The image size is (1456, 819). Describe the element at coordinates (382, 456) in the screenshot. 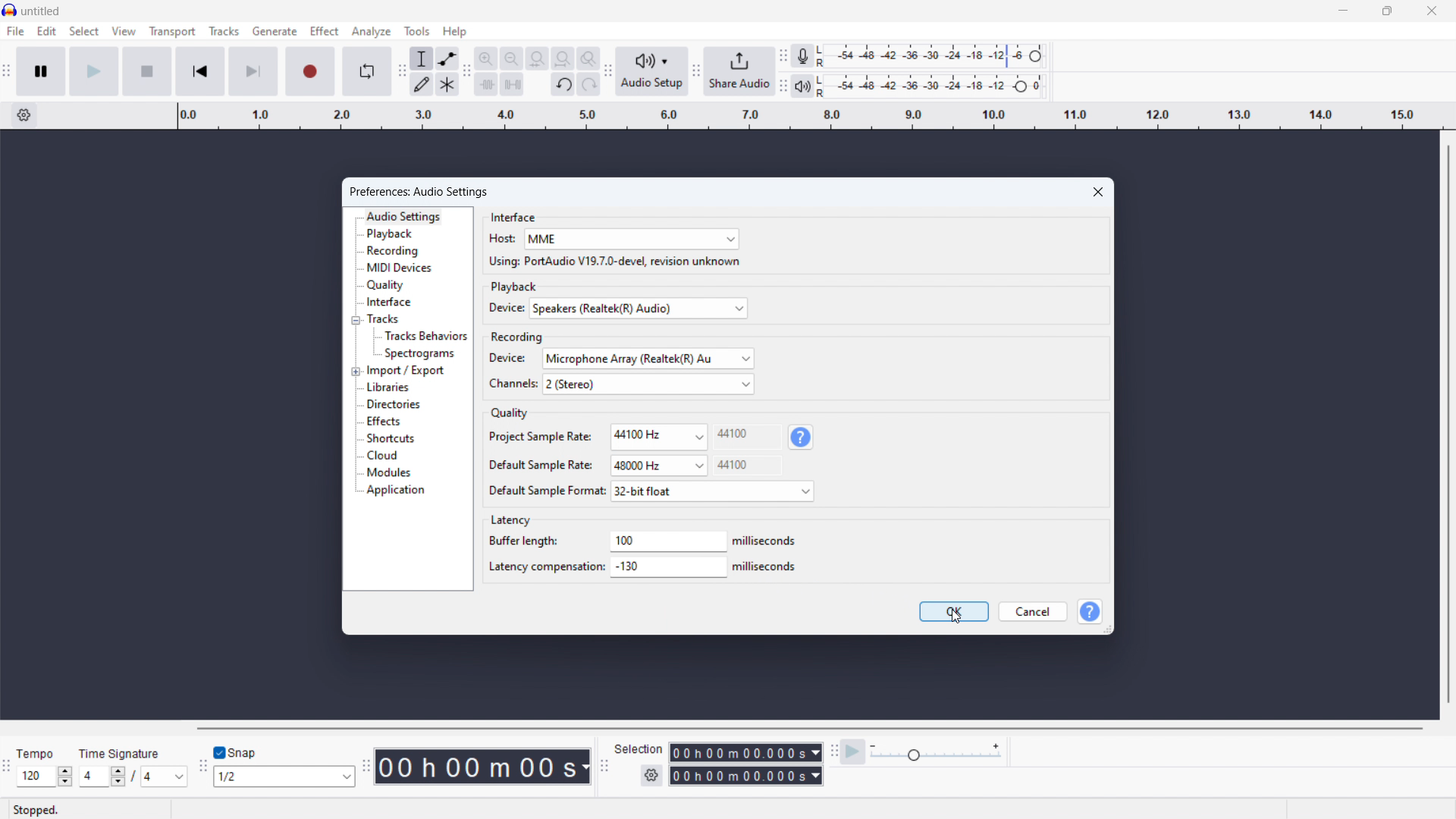

I see `cloud` at that location.